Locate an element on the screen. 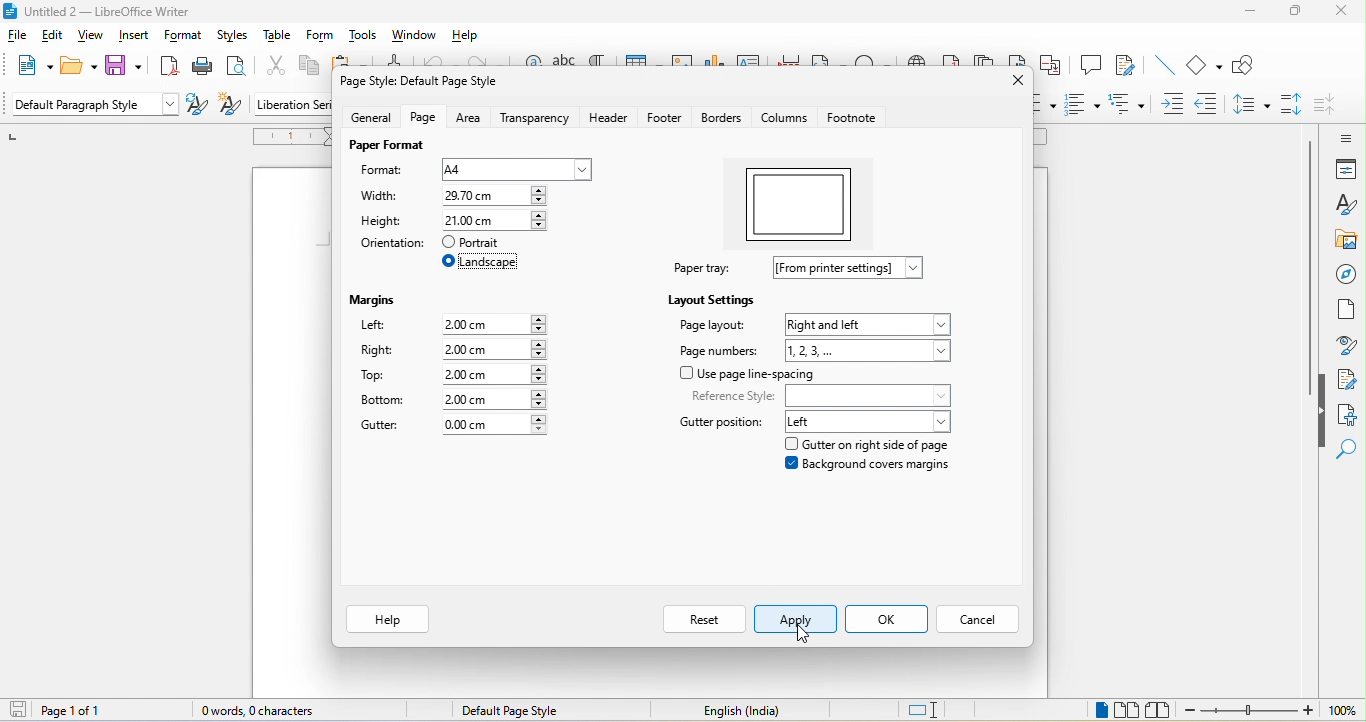 The width and height of the screenshot is (1366, 722). page layout is located at coordinates (713, 329).